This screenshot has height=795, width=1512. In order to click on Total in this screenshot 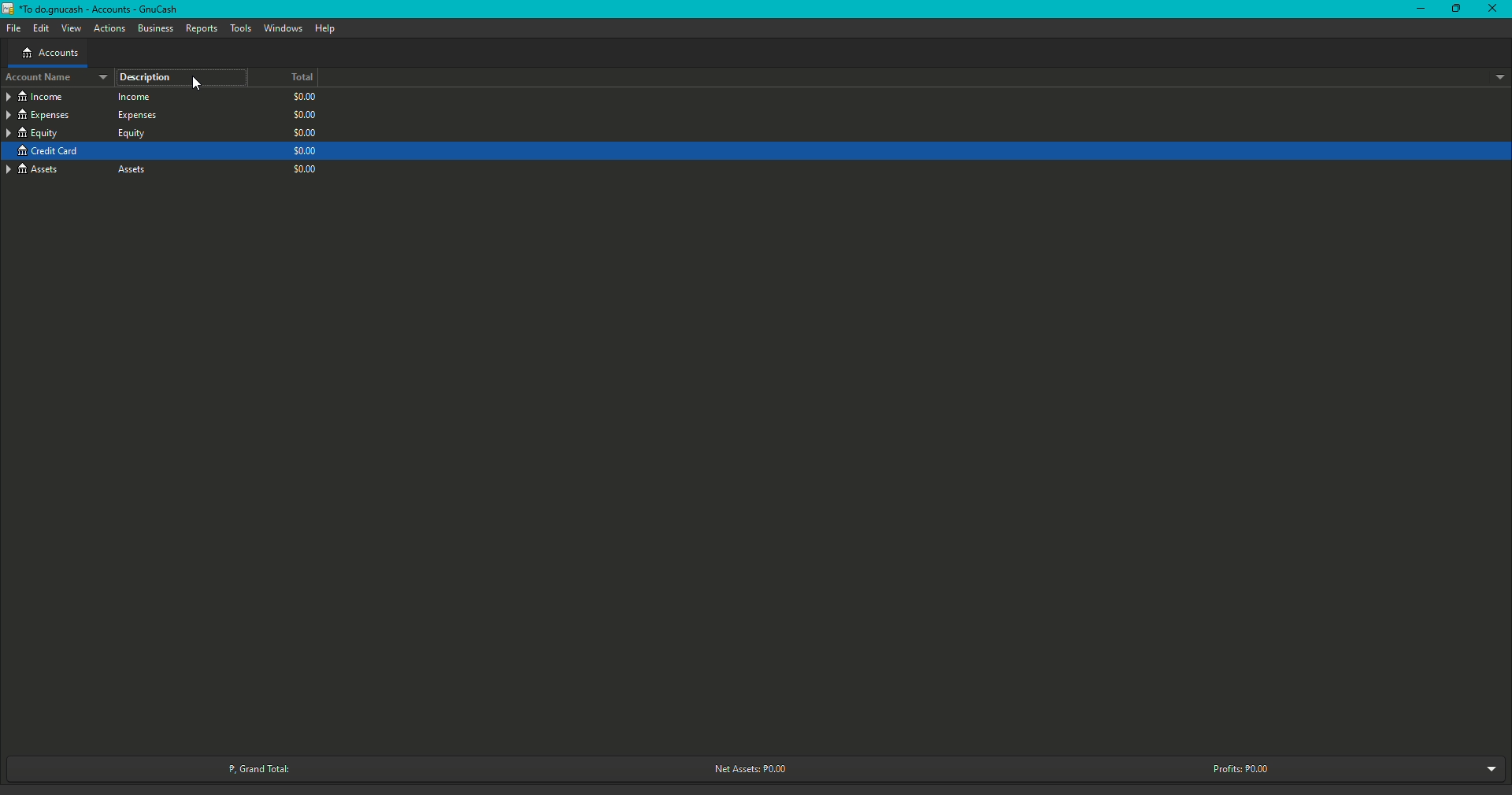, I will do `click(293, 77)`.